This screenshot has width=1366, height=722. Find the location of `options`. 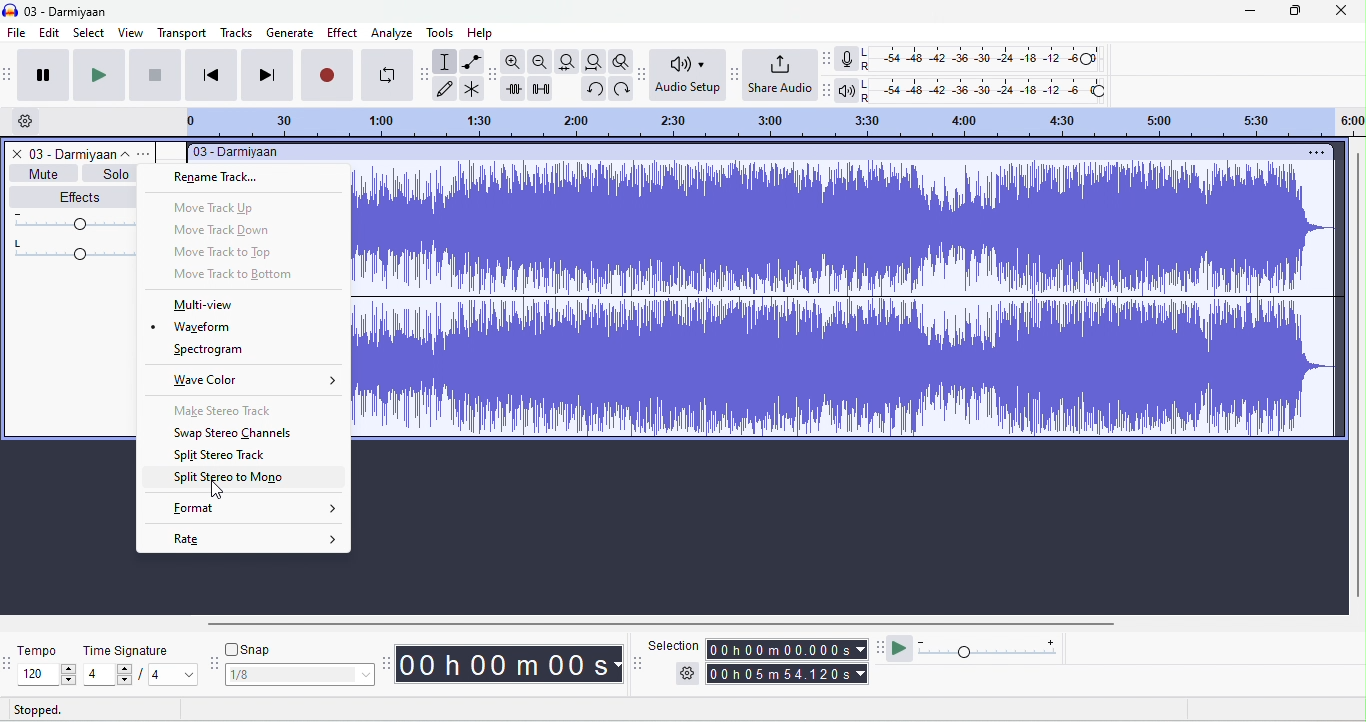

options is located at coordinates (147, 154).